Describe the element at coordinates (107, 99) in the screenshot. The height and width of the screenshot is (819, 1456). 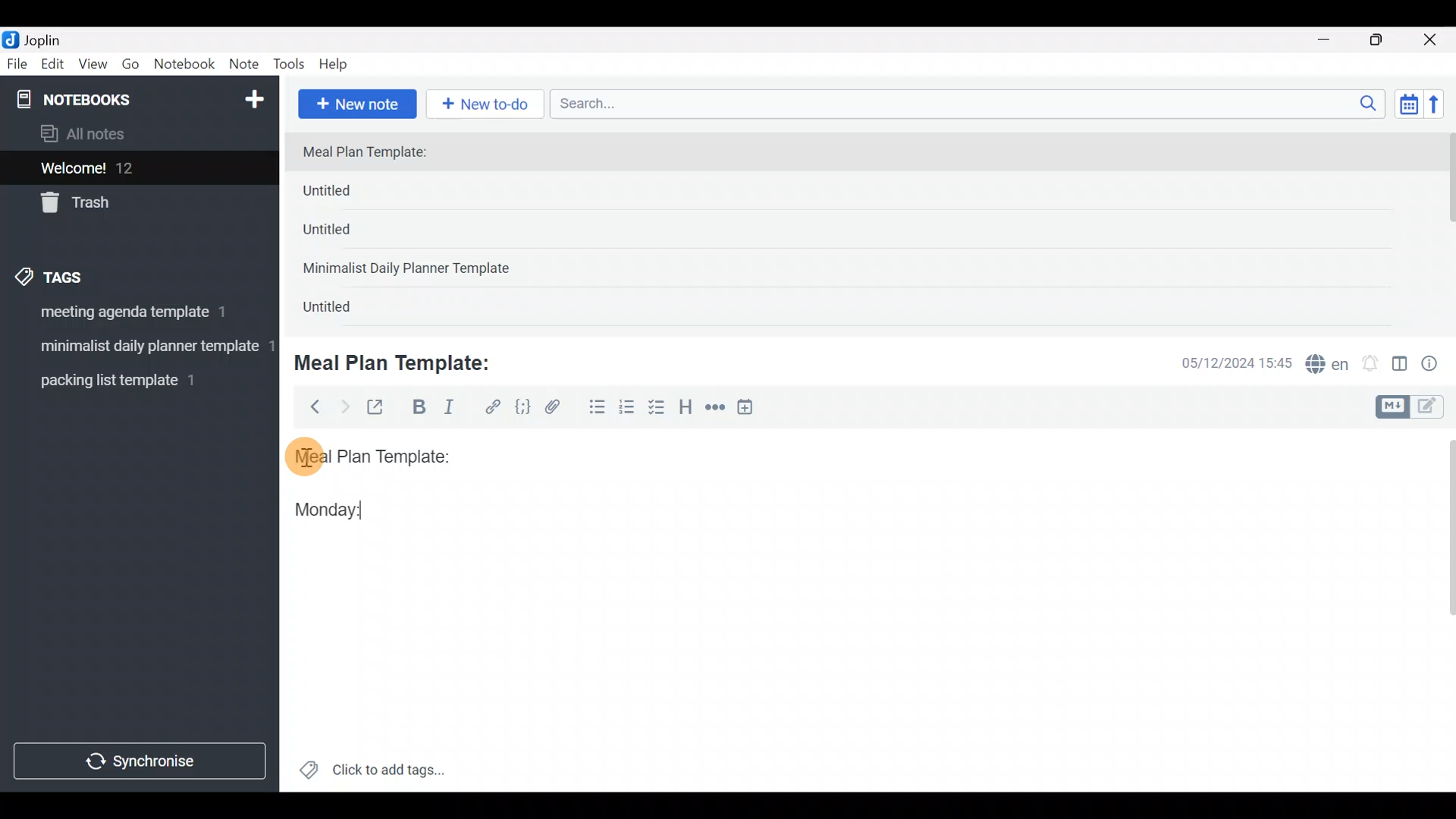
I see `Notebooks` at that location.